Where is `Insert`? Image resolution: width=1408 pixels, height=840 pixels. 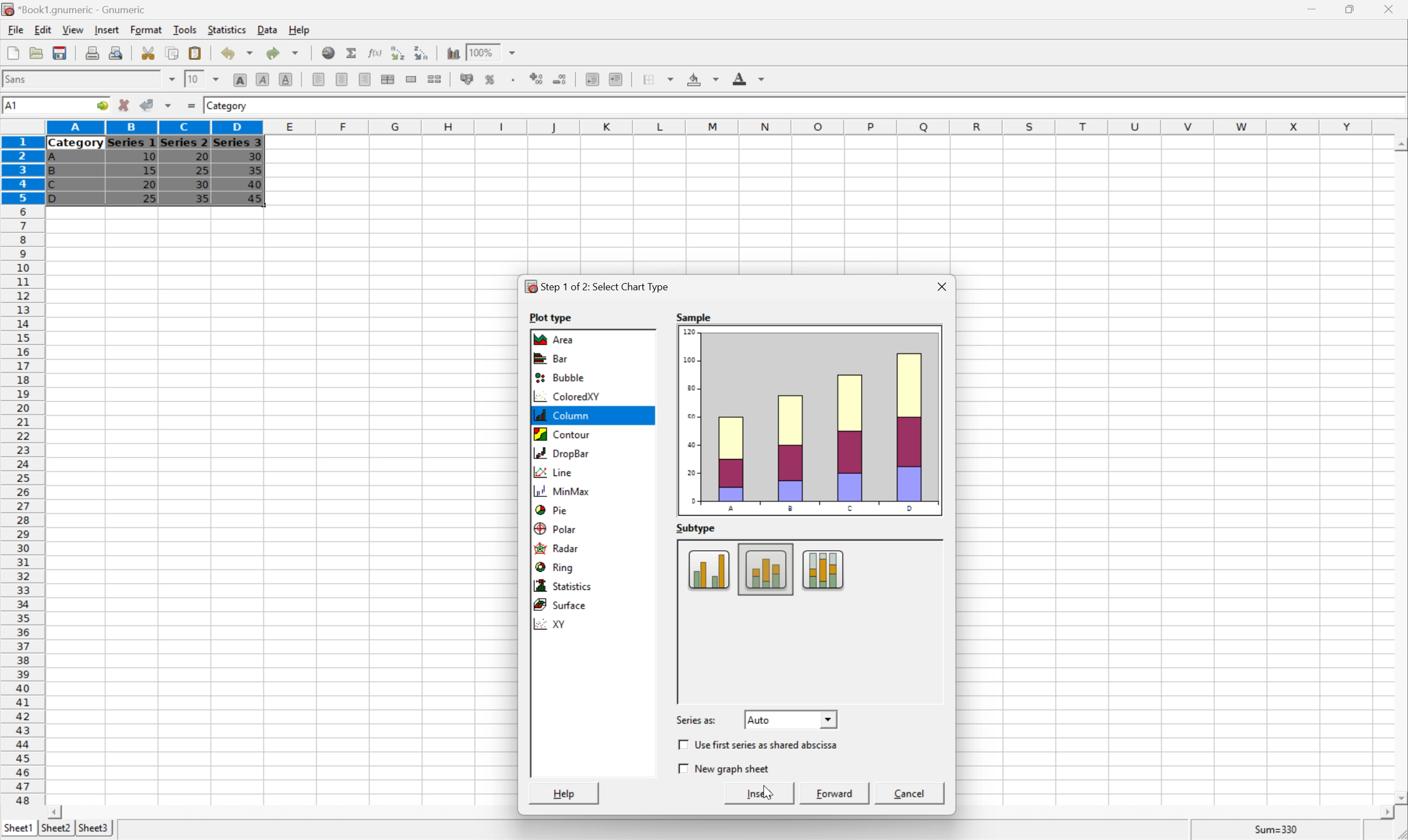
Insert is located at coordinates (762, 794).